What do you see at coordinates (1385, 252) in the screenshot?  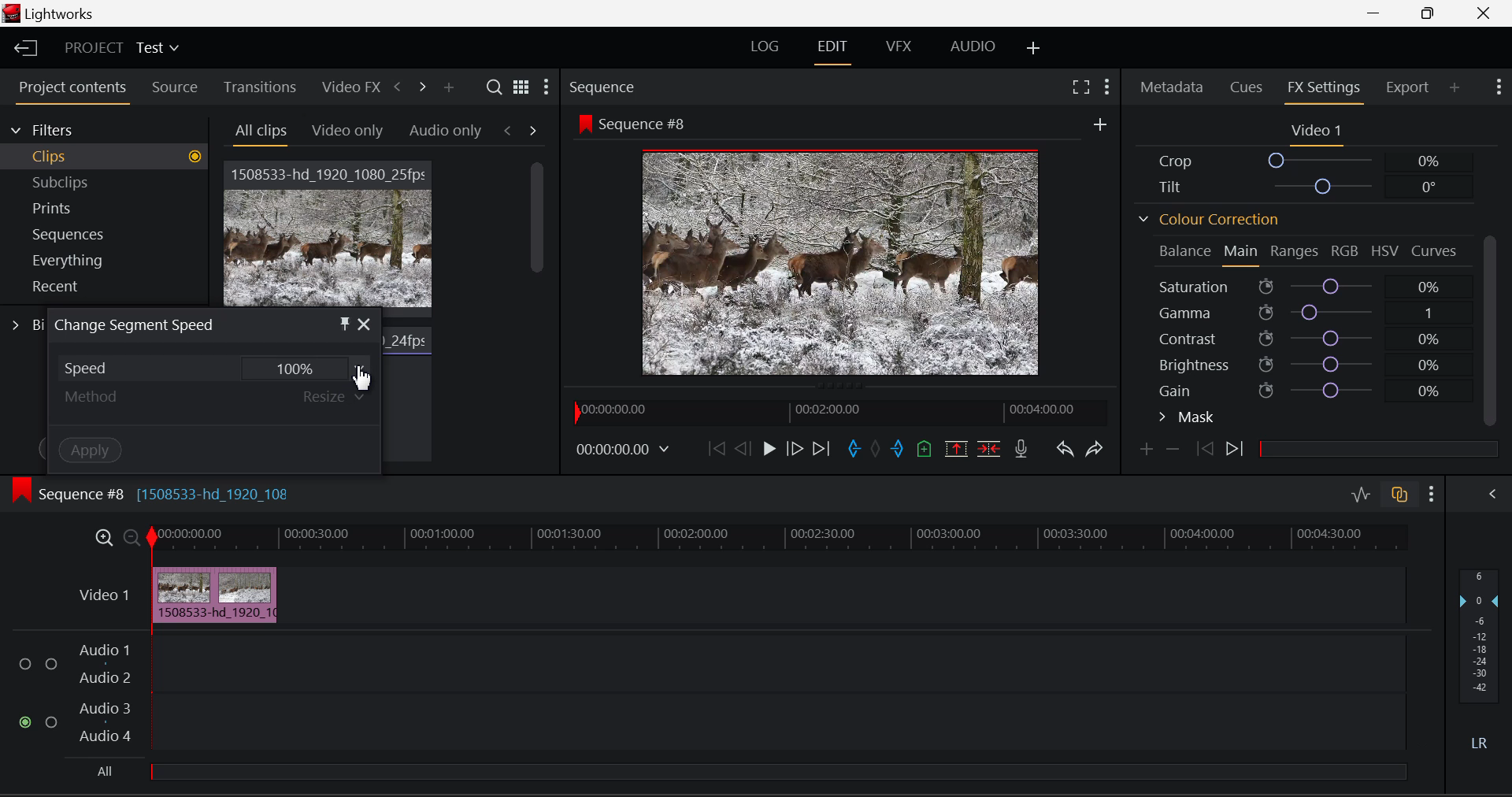 I see `HSV` at bounding box center [1385, 252].